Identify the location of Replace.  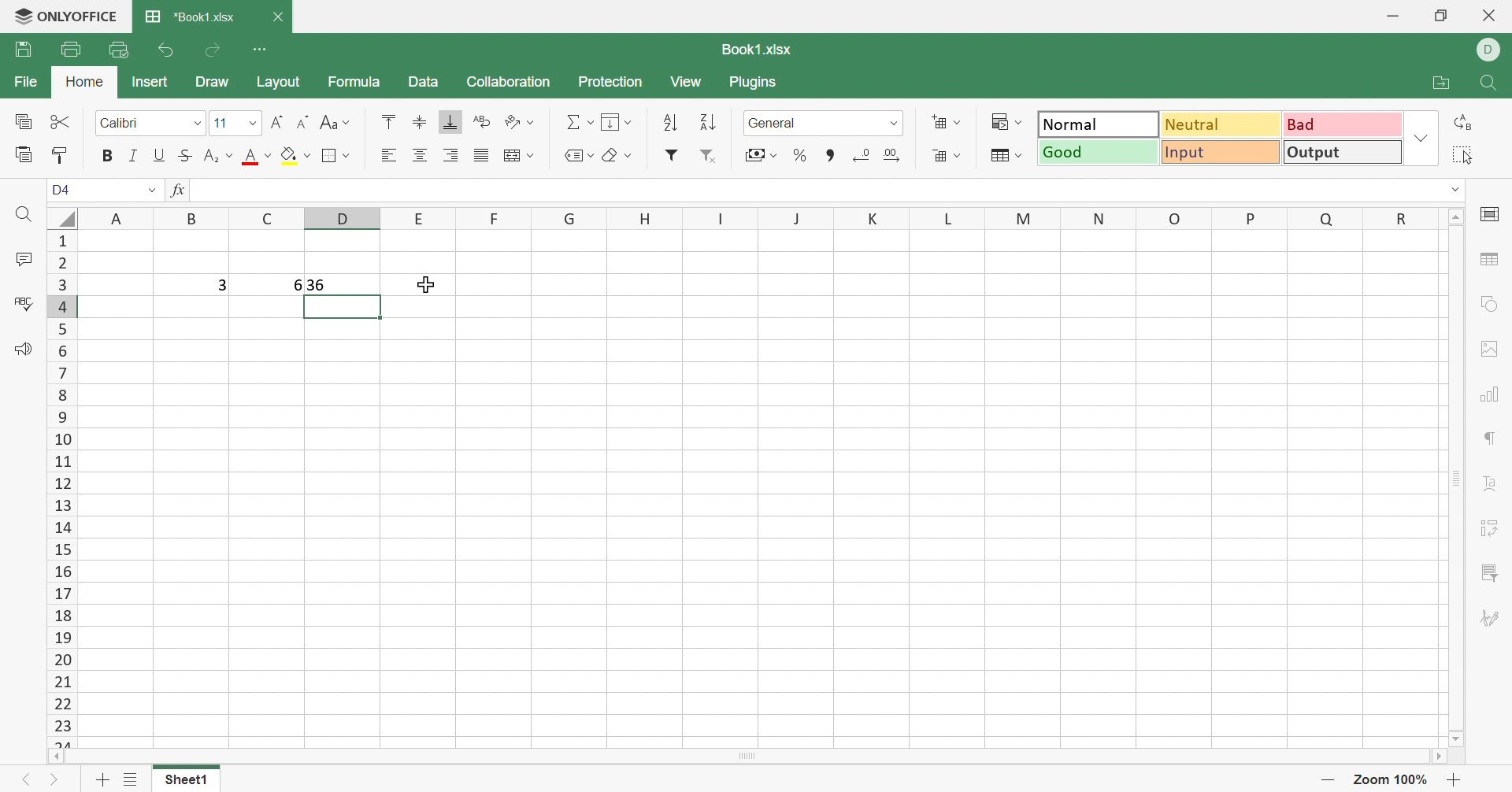
(1465, 120).